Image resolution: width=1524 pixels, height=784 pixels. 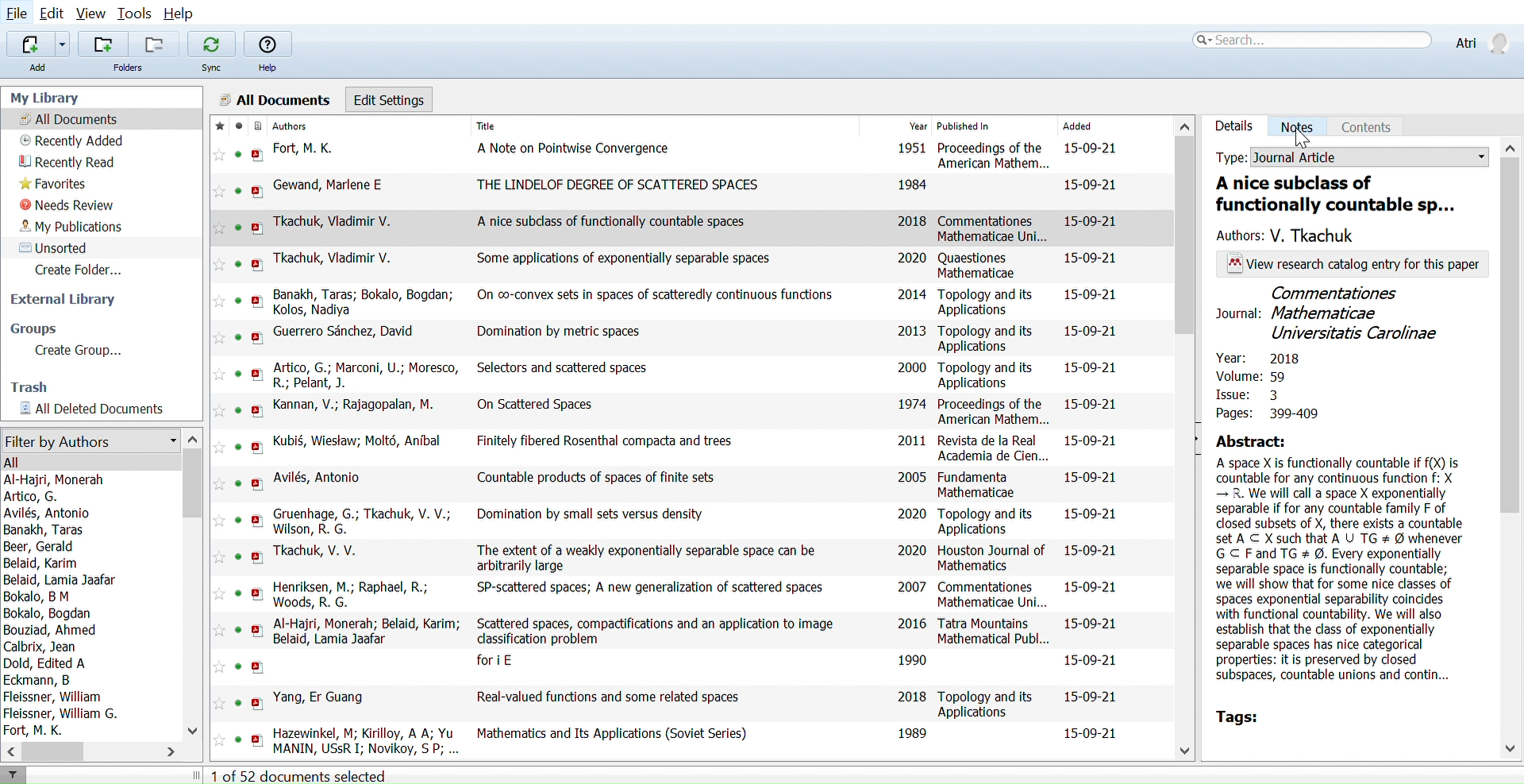 What do you see at coordinates (1233, 125) in the screenshot?
I see `Details` at bounding box center [1233, 125].